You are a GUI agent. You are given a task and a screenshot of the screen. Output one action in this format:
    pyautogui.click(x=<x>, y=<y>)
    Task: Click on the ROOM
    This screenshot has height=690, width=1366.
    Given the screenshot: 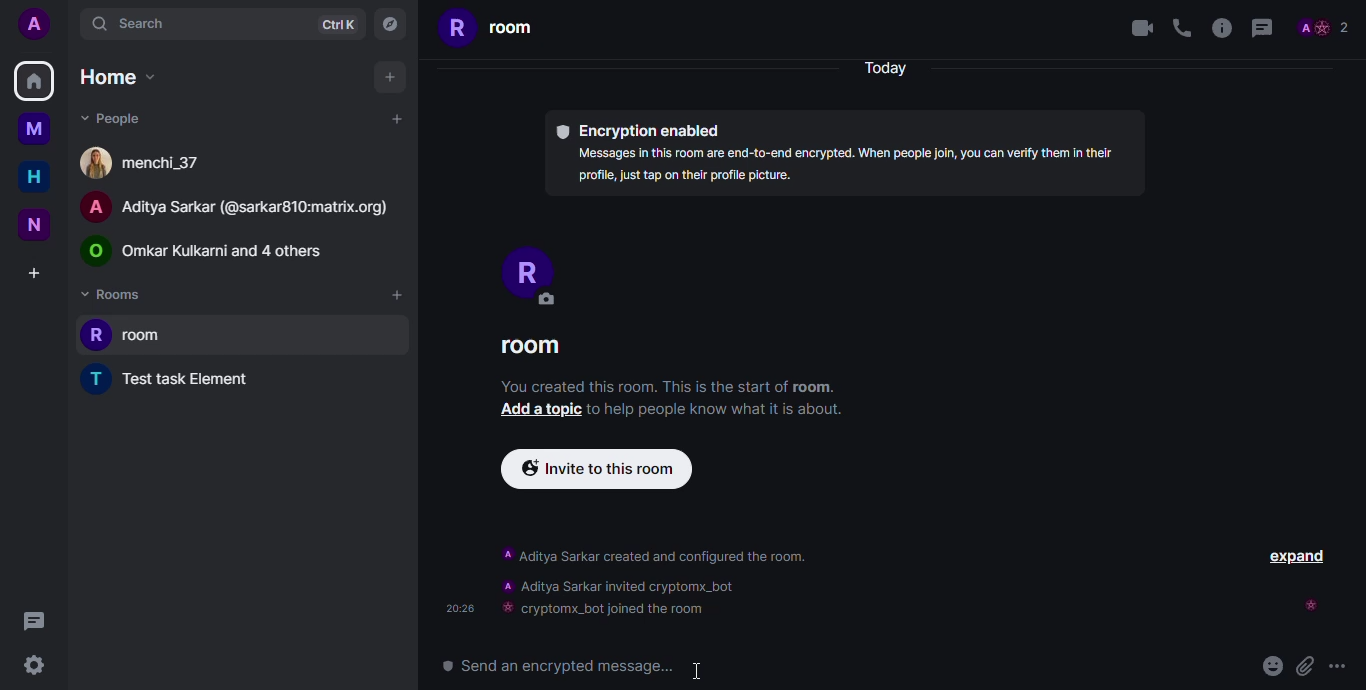 What is the action you would take?
    pyautogui.click(x=542, y=349)
    